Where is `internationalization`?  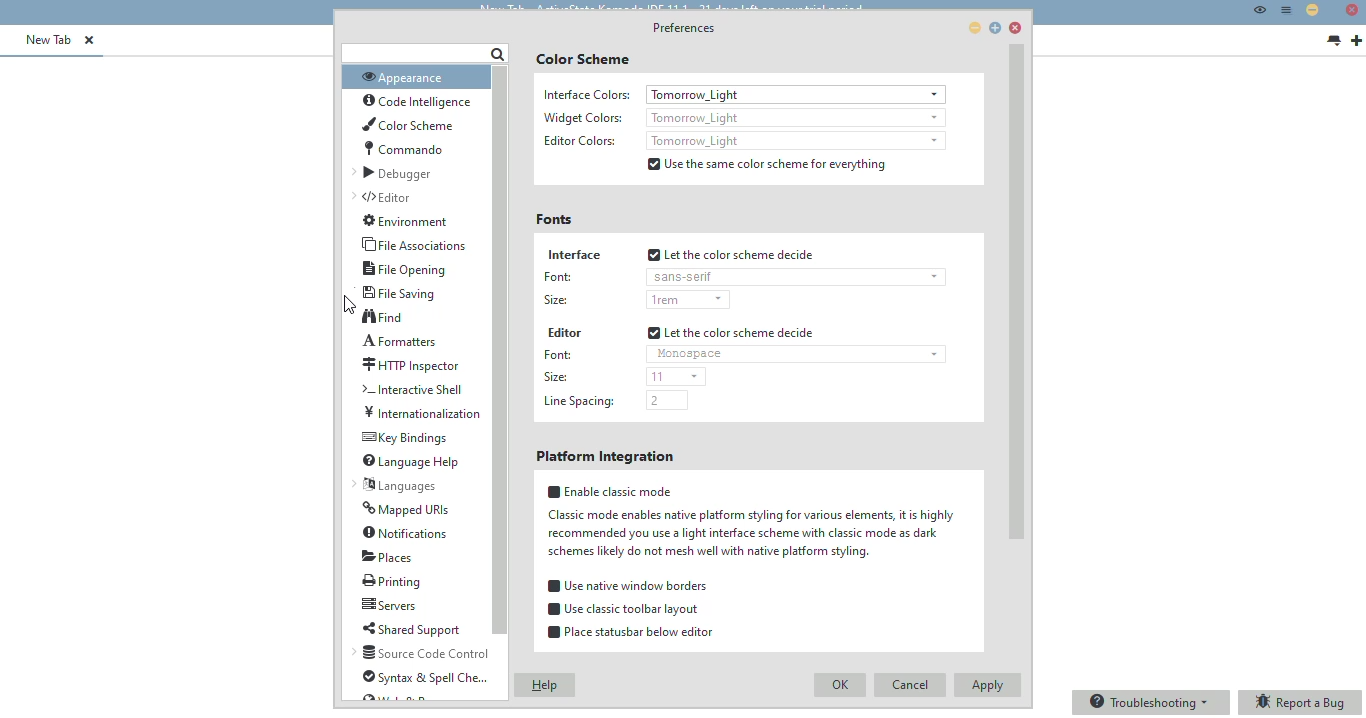 internationalization is located at coordinates (423, 412).